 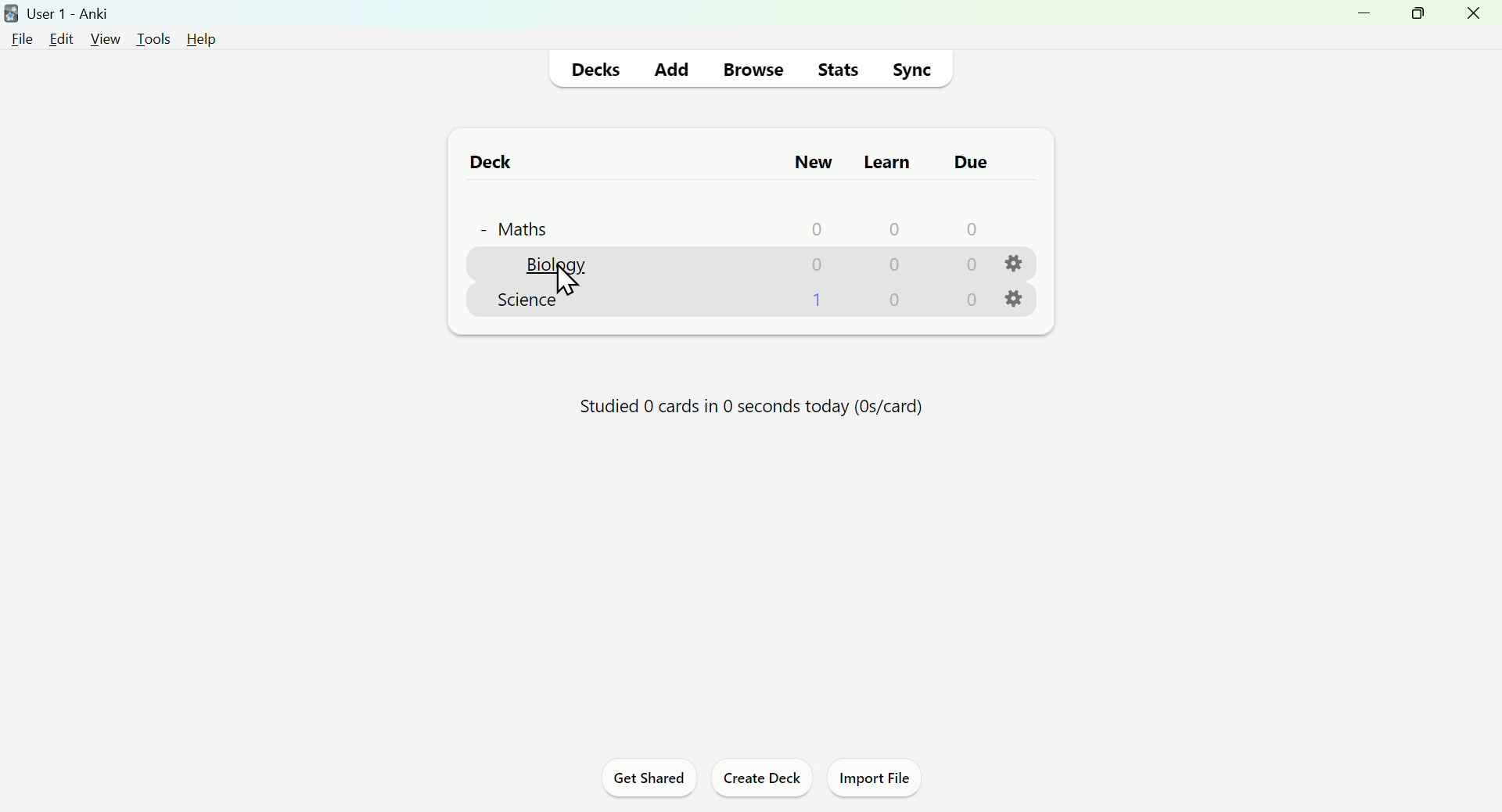 I want to click on edit, so click(x=62, y=38).